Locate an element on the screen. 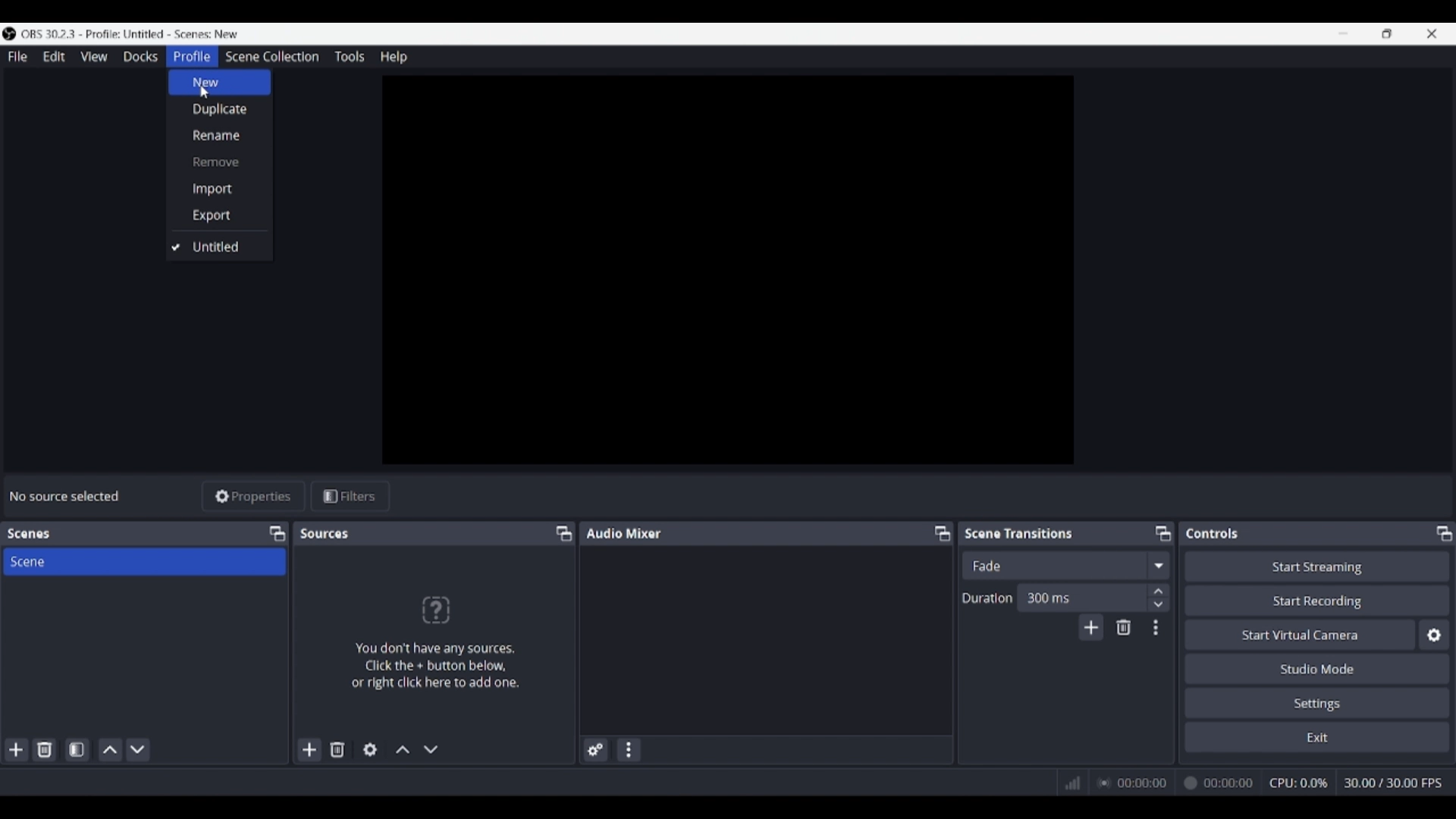 The height and width of the screenshot is (819, 1456). Remove configurble transition is located at coordinates (1124, 627).